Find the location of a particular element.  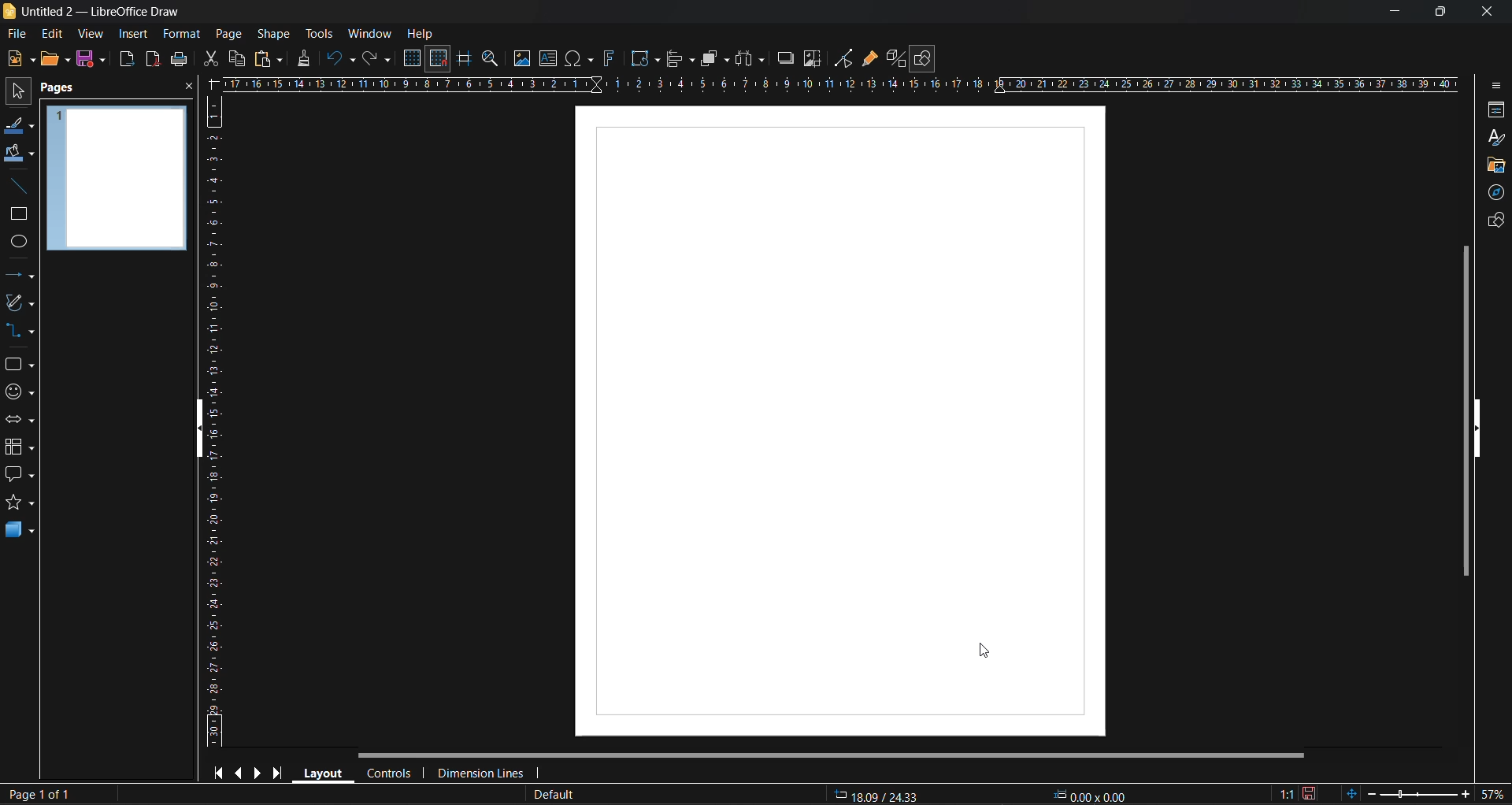

transformations is located at coordinates (646, 58).